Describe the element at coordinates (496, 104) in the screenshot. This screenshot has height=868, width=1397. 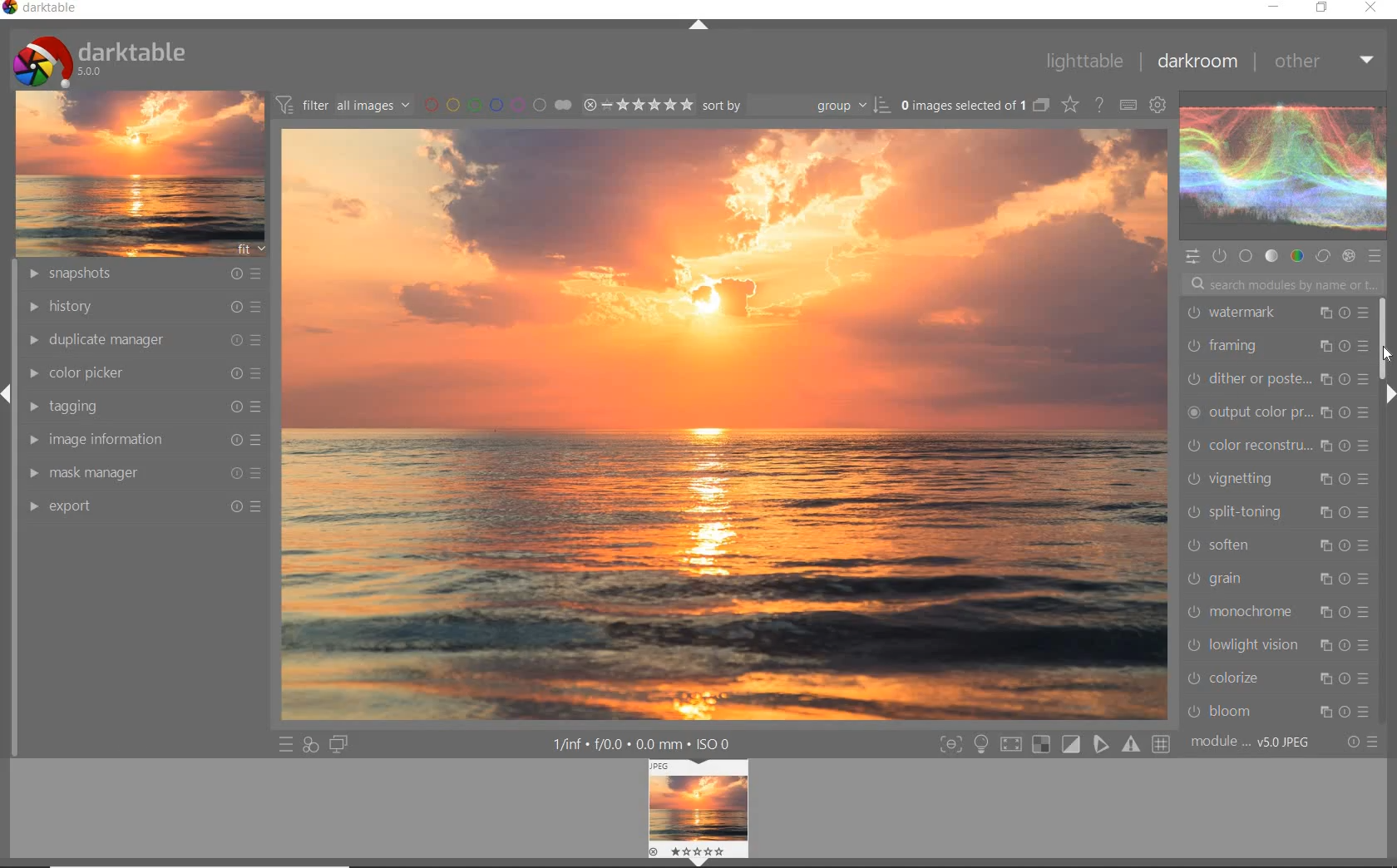
I see `FITER BY COLOR LABEL` at that location.